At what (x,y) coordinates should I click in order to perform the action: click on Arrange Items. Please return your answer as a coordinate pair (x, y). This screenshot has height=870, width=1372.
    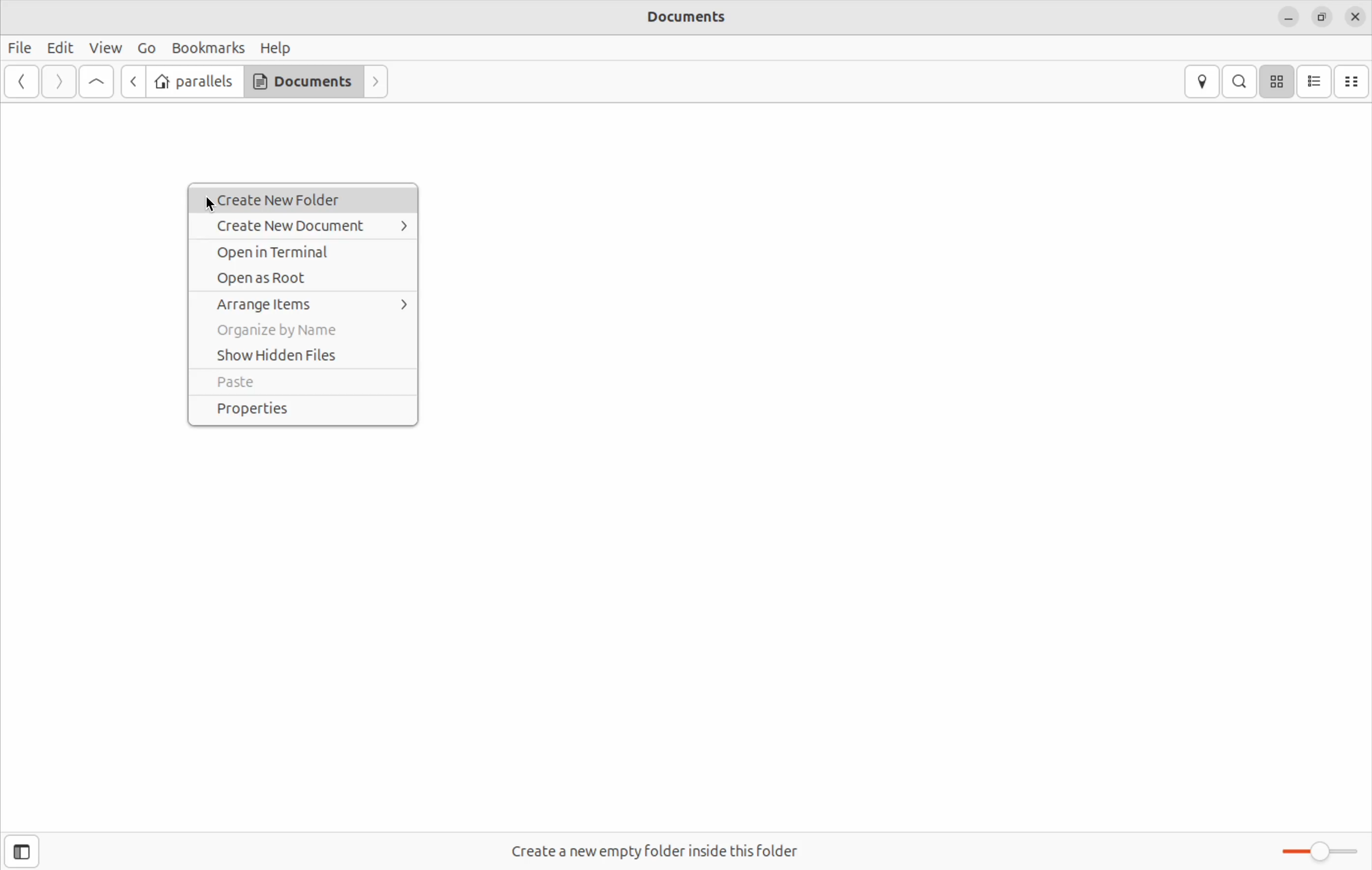
    Looking at the image, I should click on (302, 304).